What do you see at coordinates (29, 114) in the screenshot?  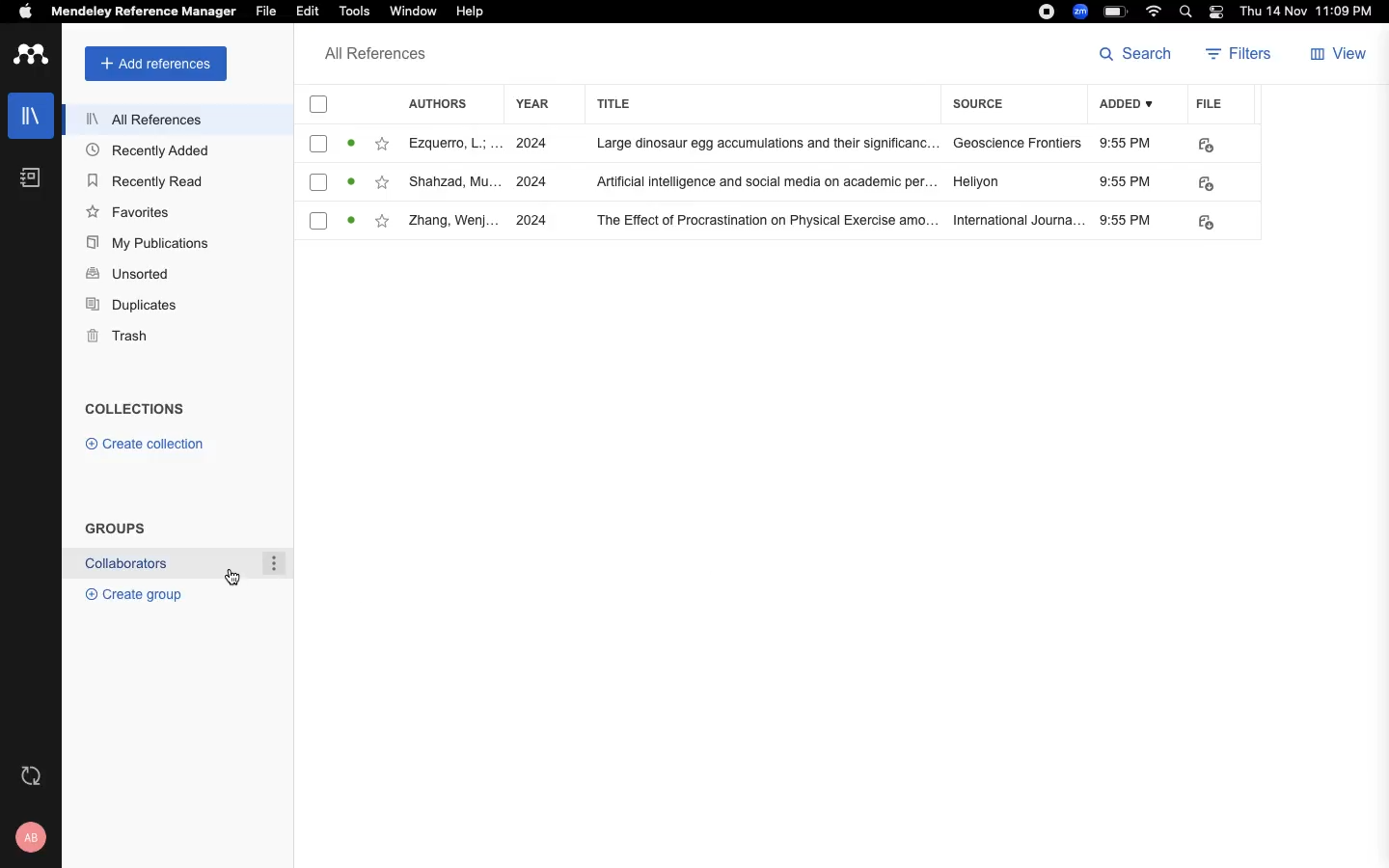 I see `libraries` at bounding box center [29, 114].